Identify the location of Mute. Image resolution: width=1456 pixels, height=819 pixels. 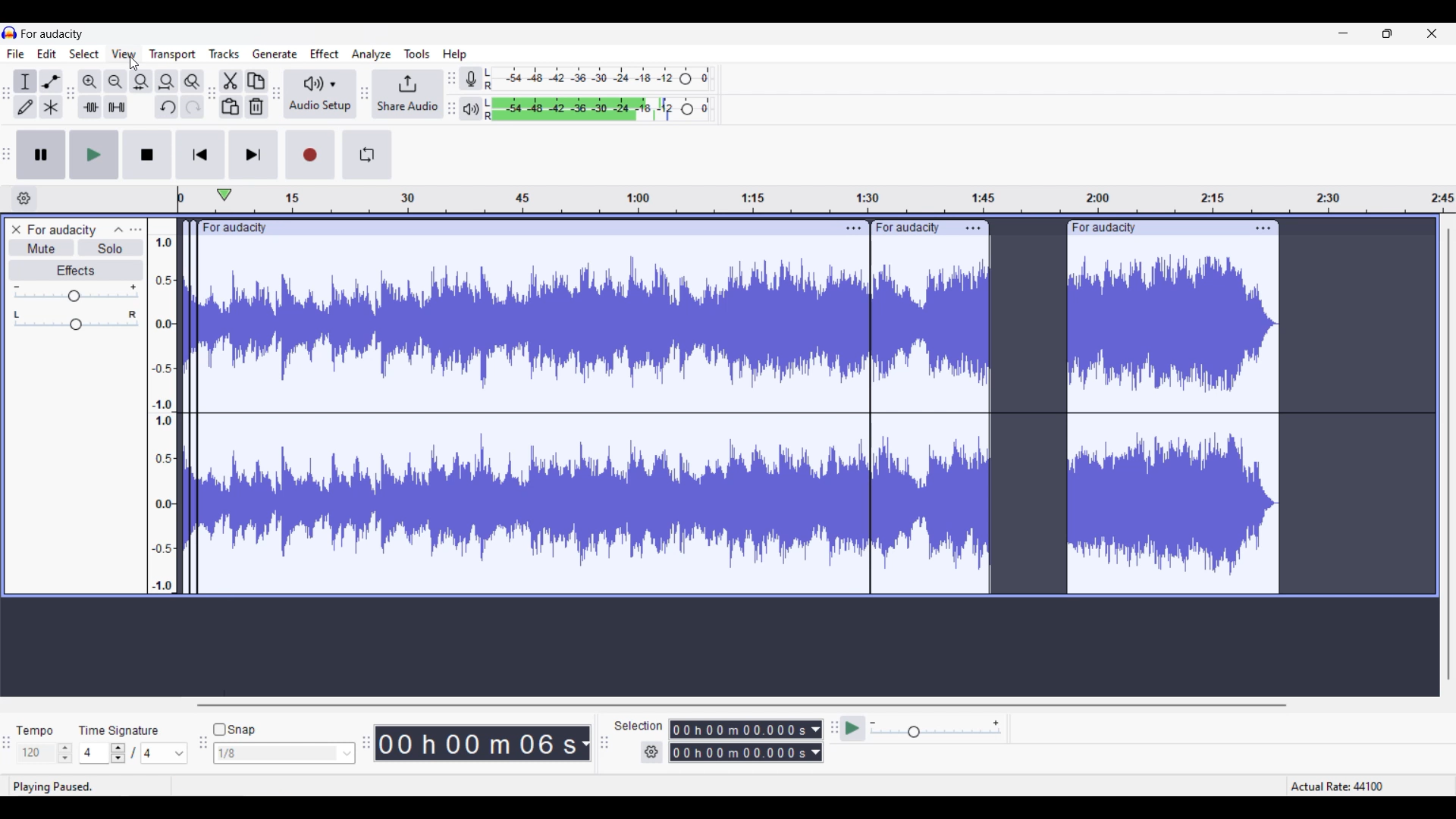
(41, 247).